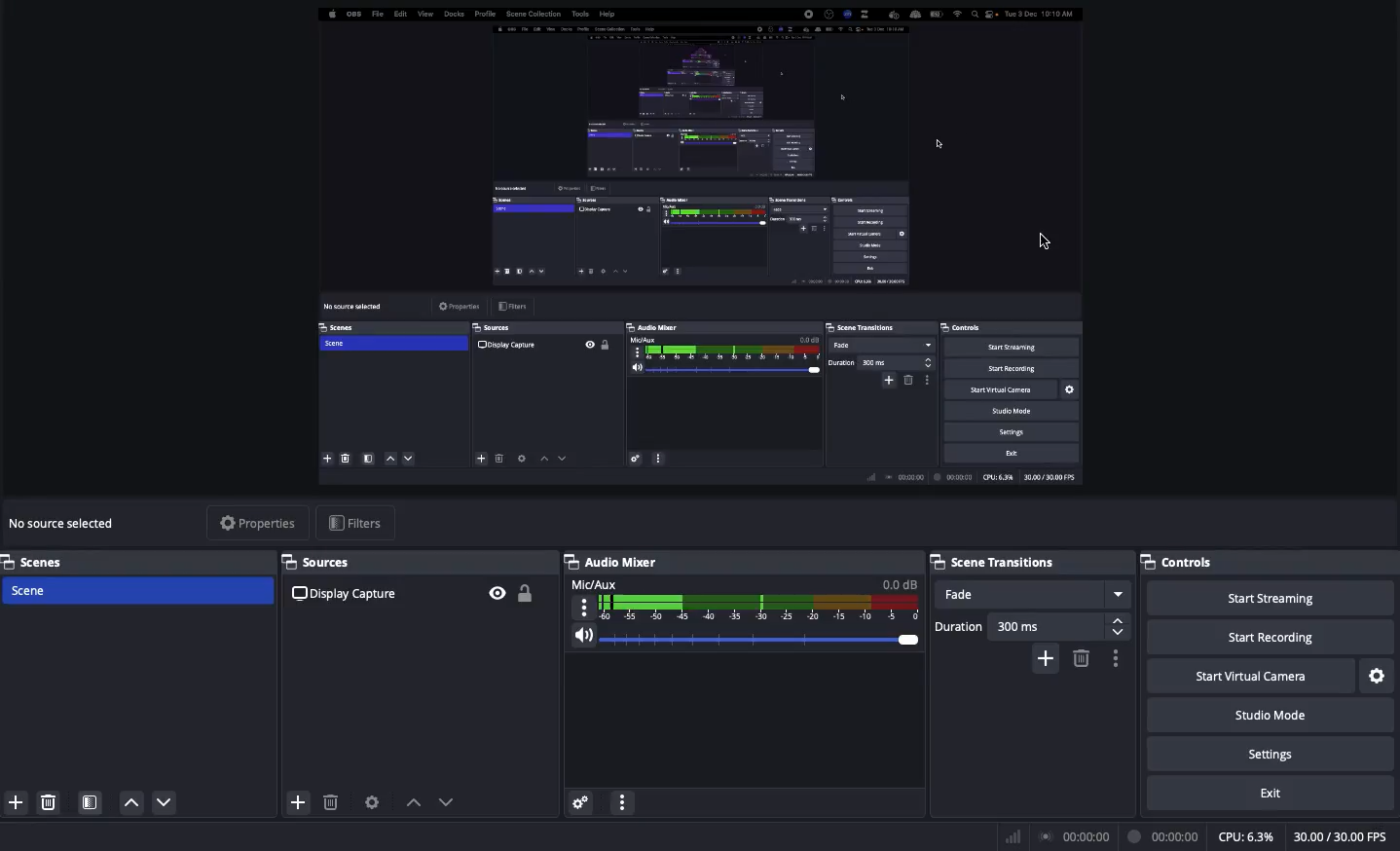 The height and width of the screenshot is (851, 1400). I want to click on Recording , so click(1164, 836).